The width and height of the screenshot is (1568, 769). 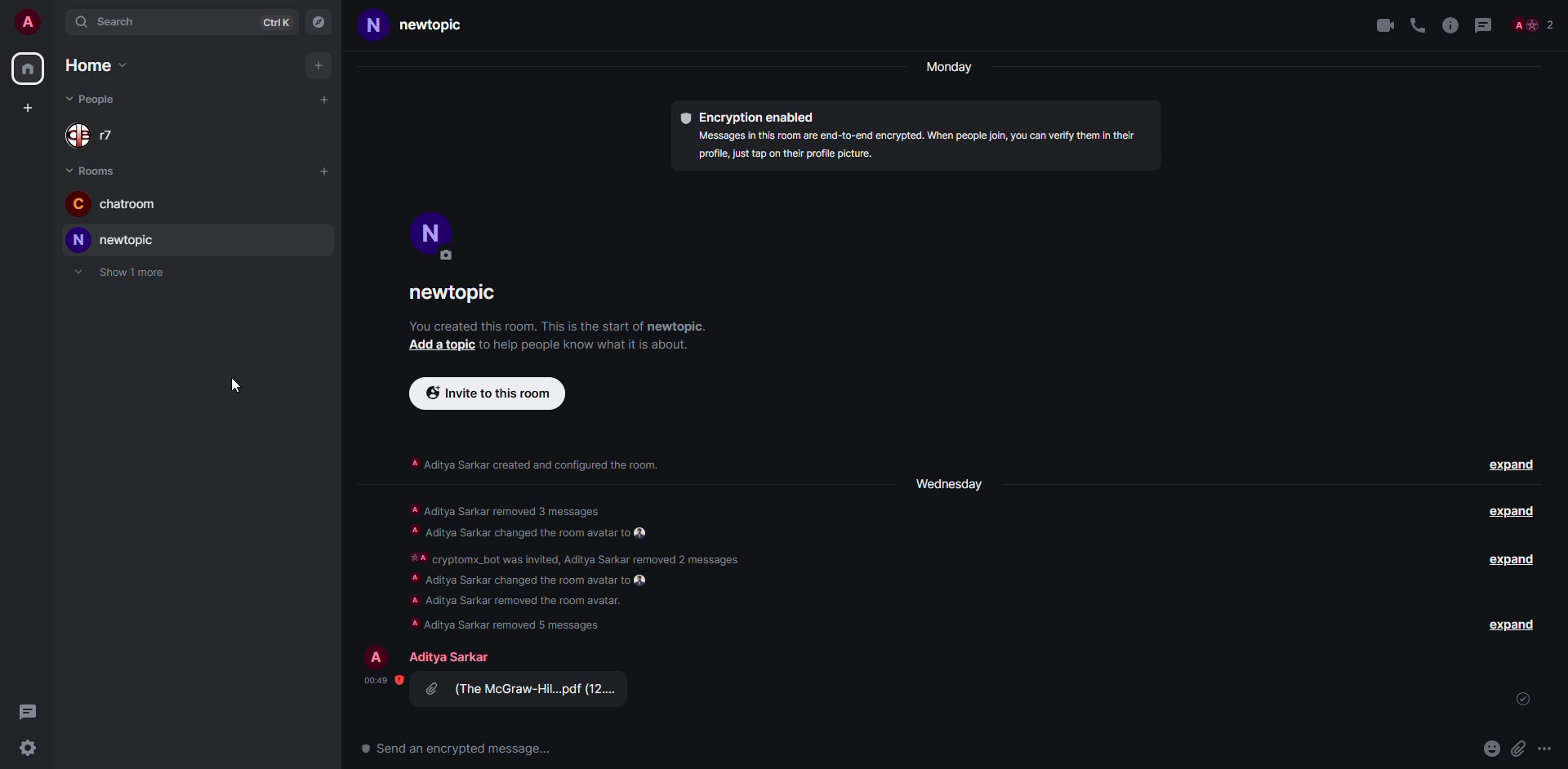 I want to click on threads, so click(x=1486, y=24).